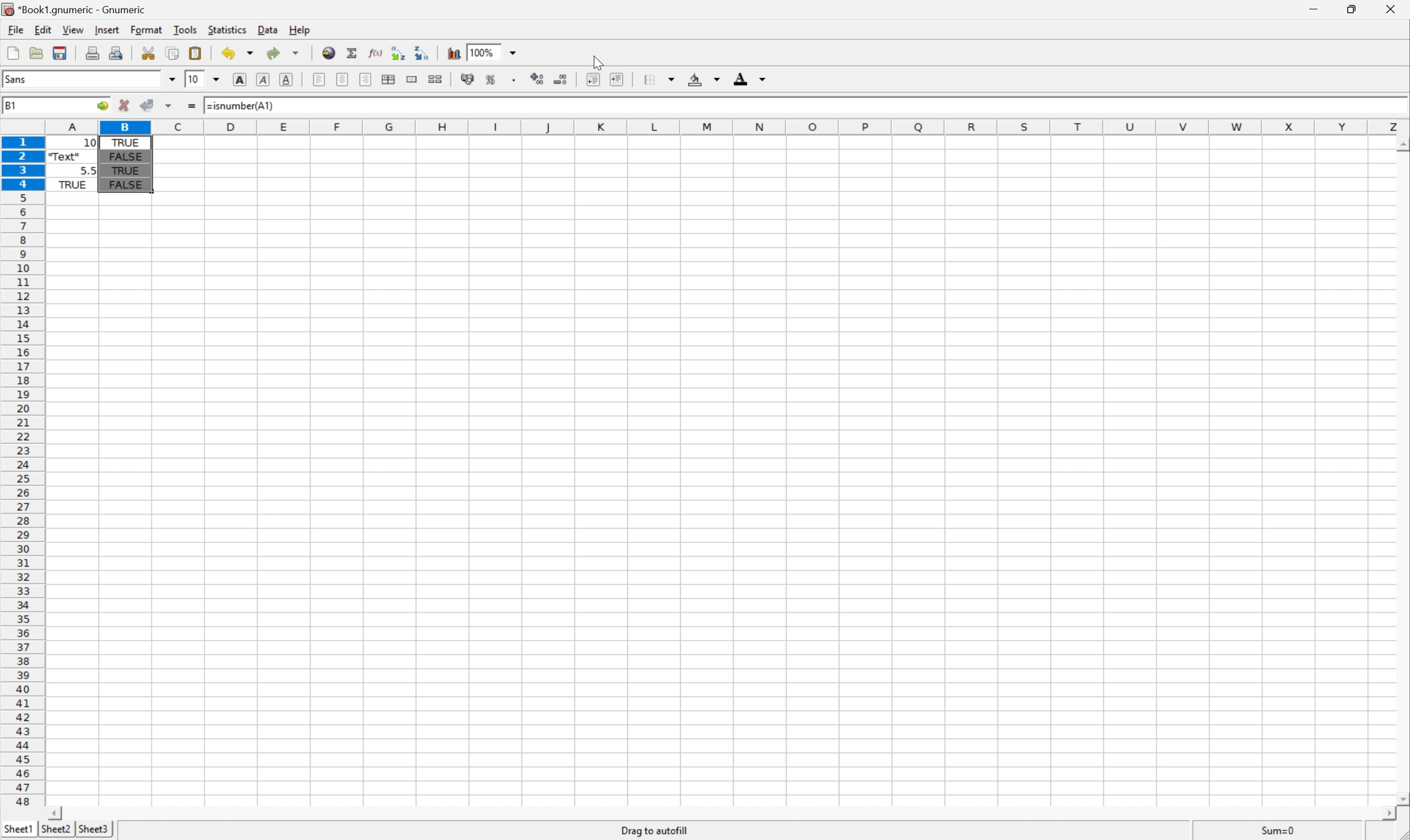  Describe the element at coordinates (389, 80) in the screenshot. I see ` Center horizontally across selection` at that location.